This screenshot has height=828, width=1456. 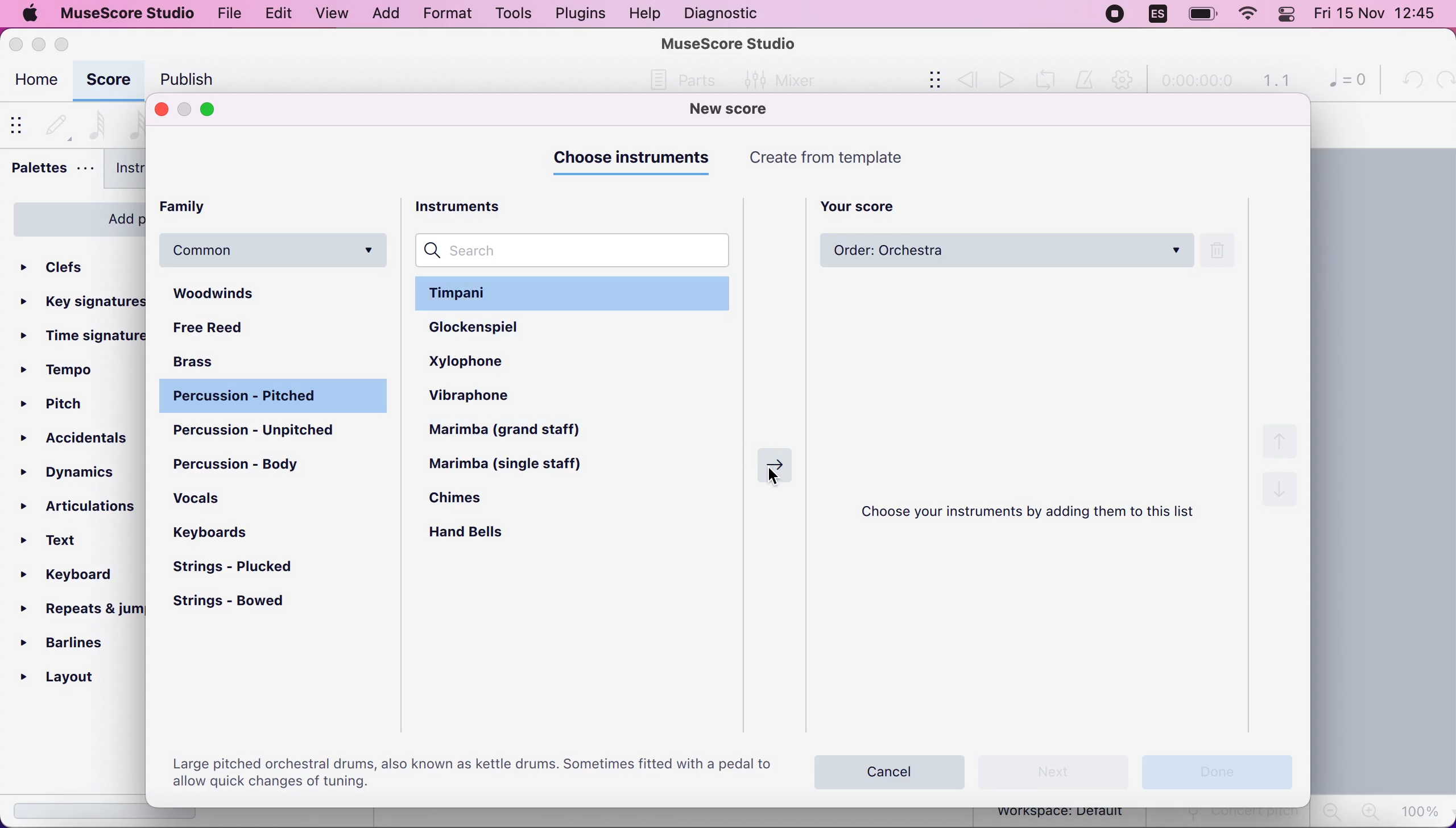 I want to click on percussion - body, so click(x=247, y=463).